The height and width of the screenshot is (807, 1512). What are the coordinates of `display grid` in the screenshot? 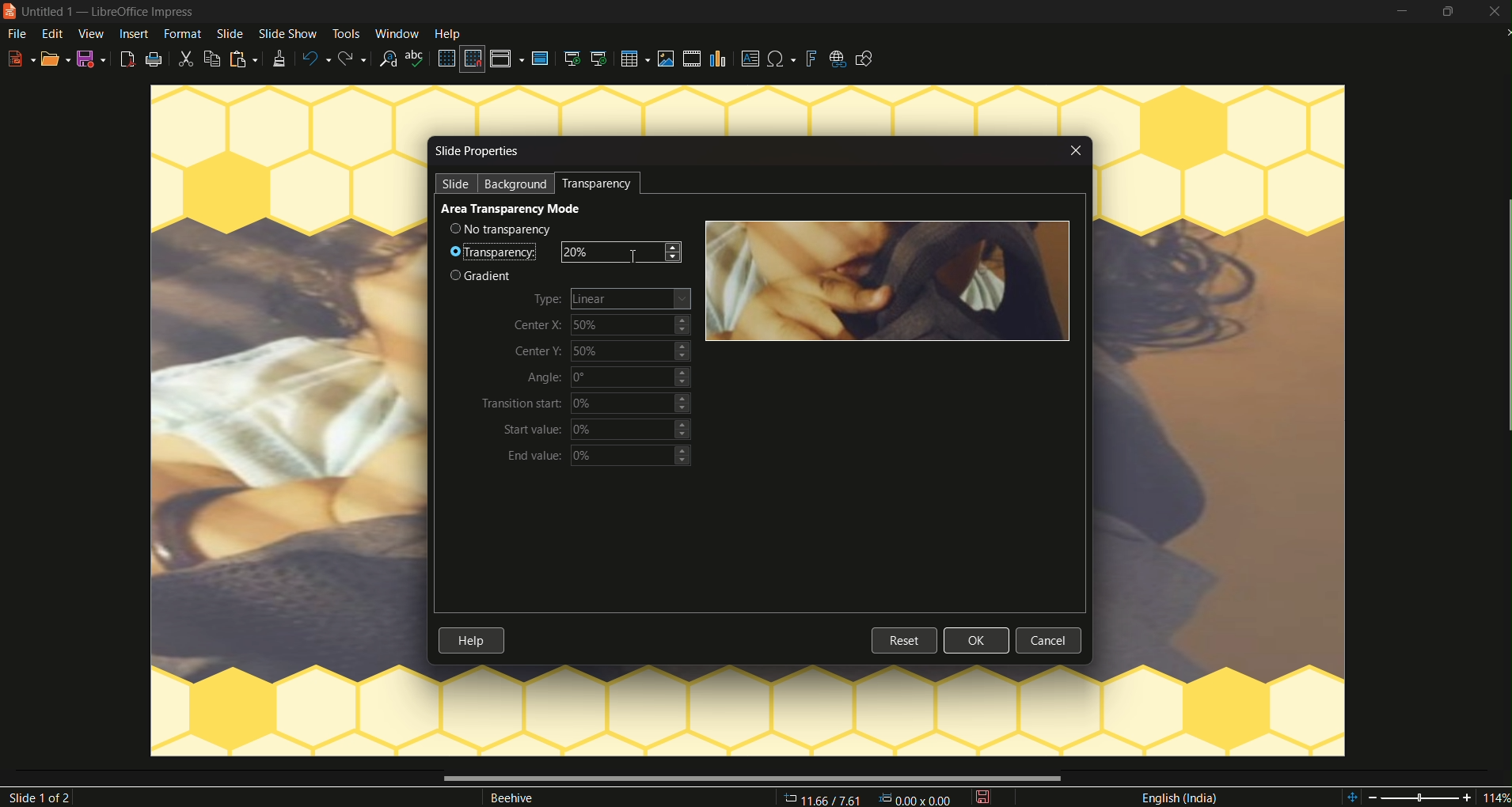 It's located at (446, 59).